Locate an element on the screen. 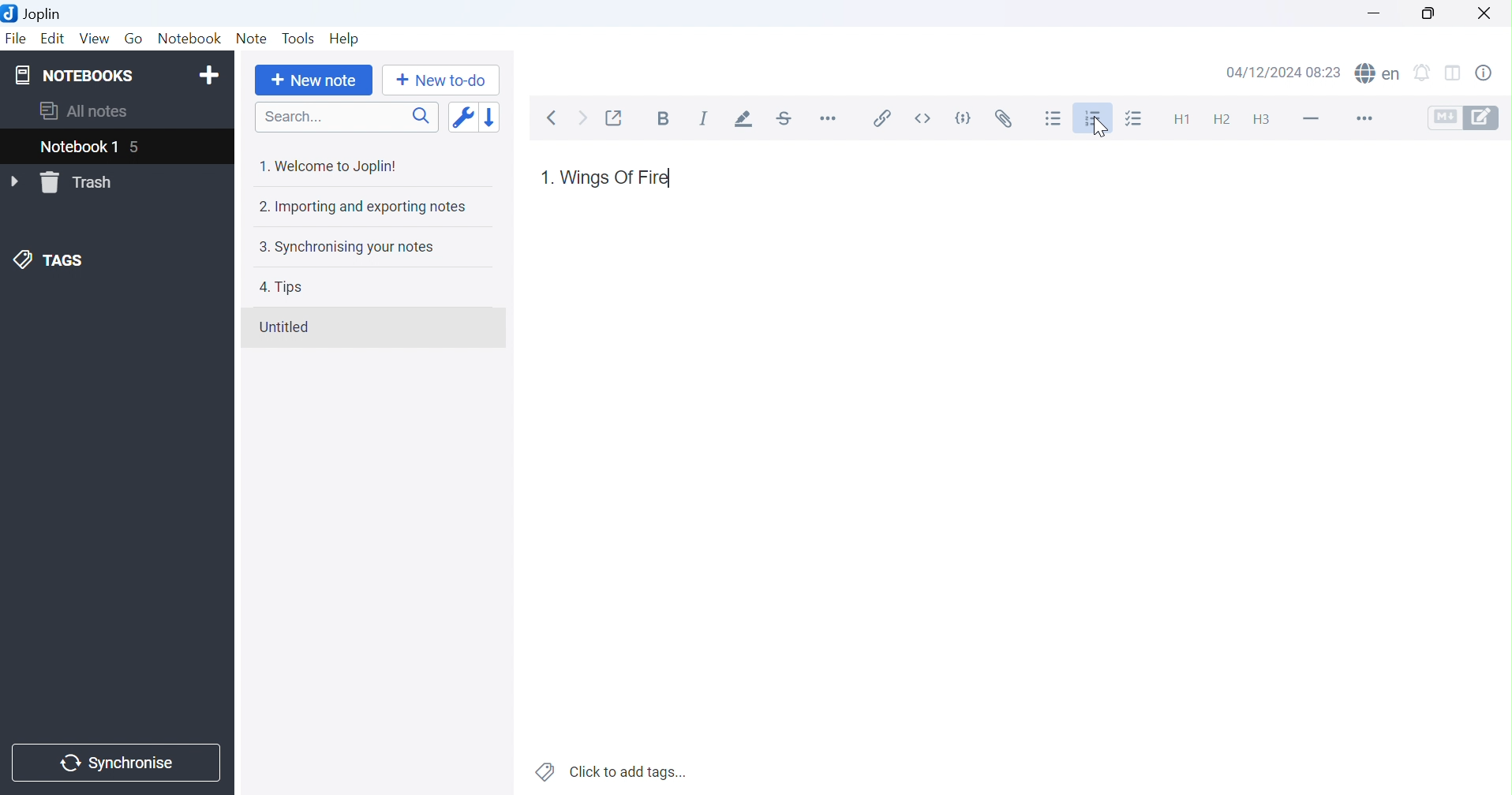 This screenshot has height=795, width=1512. 04/12/2024 08:22 is located at coordinates (1283, 73).